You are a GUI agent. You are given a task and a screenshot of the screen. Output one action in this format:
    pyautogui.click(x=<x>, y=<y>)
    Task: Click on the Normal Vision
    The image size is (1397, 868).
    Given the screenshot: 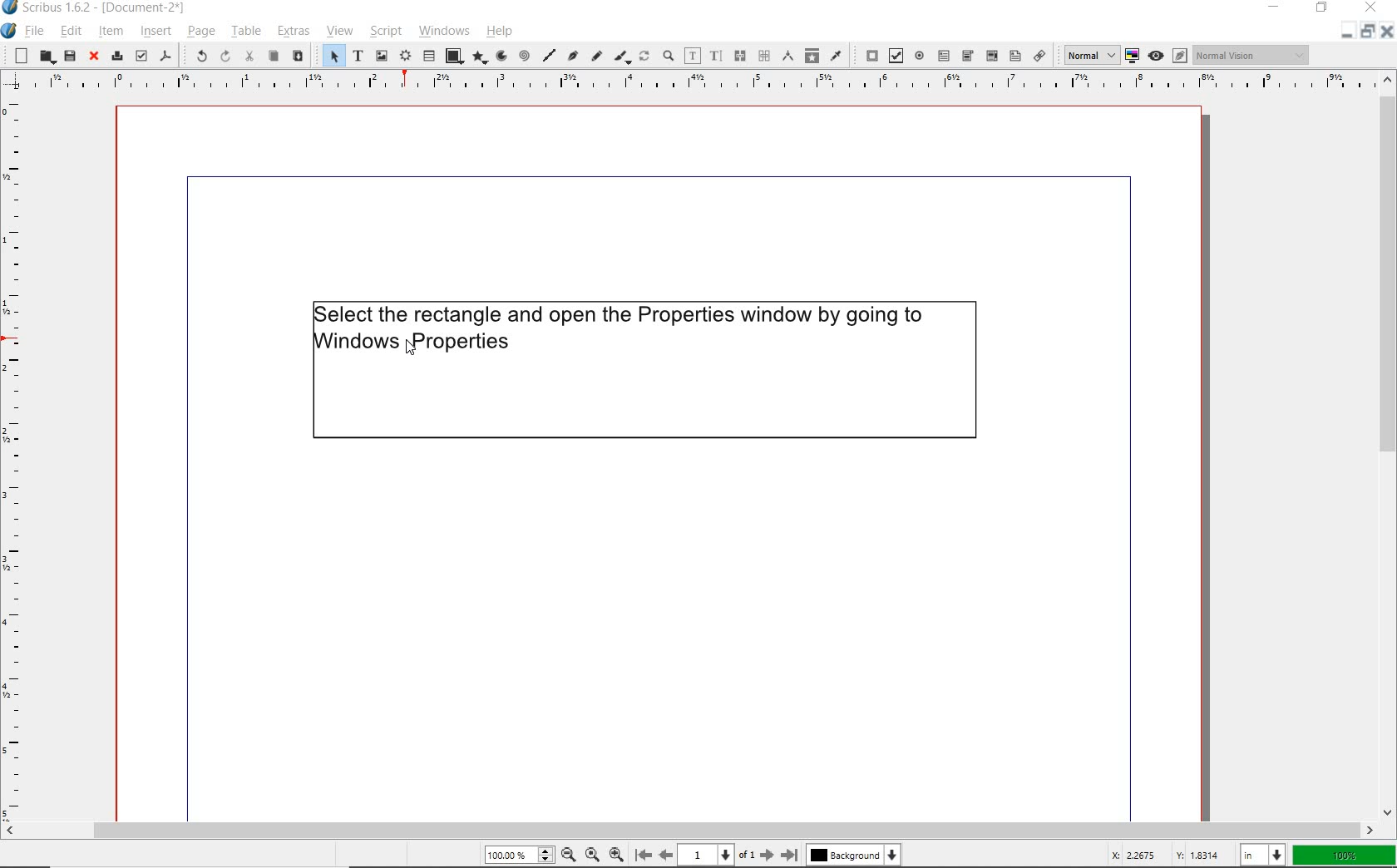 What is the action you would take?
    pyautogui.click(x=1252, y=55)
    